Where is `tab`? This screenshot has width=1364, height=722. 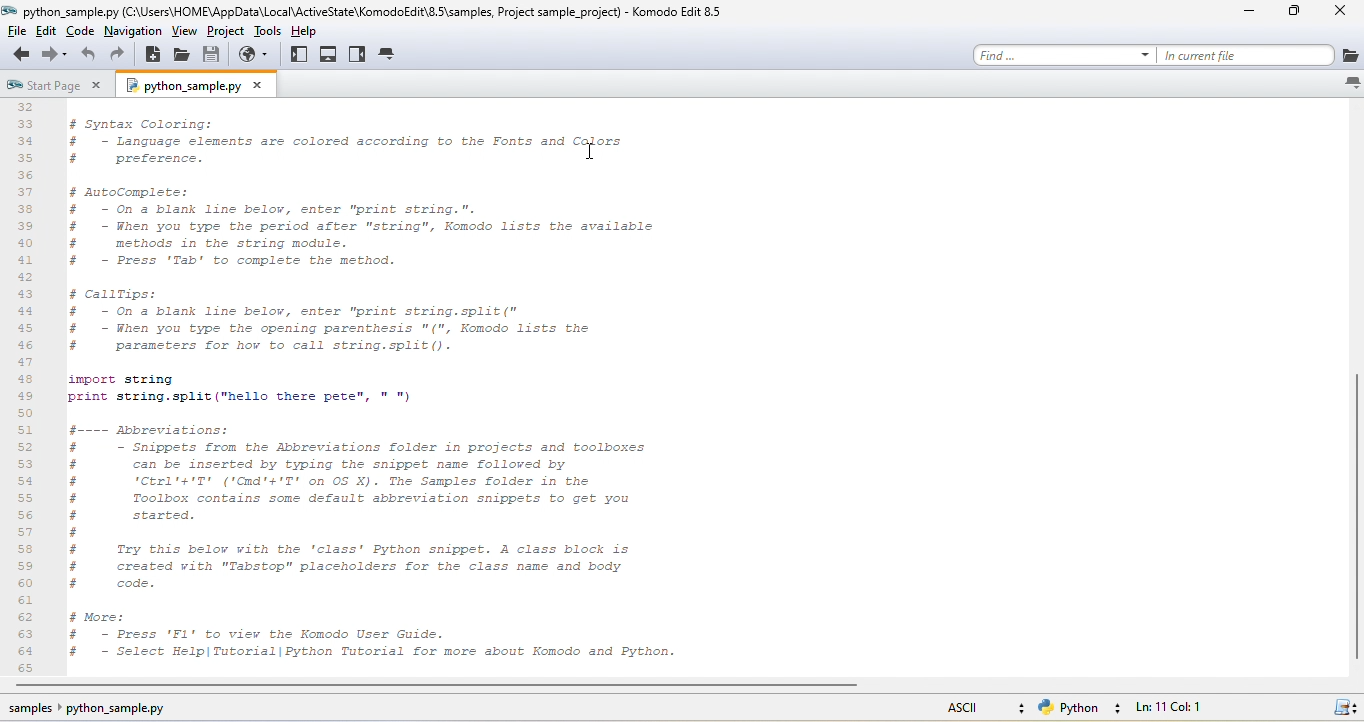
tab is located at coordinates (390, 56).